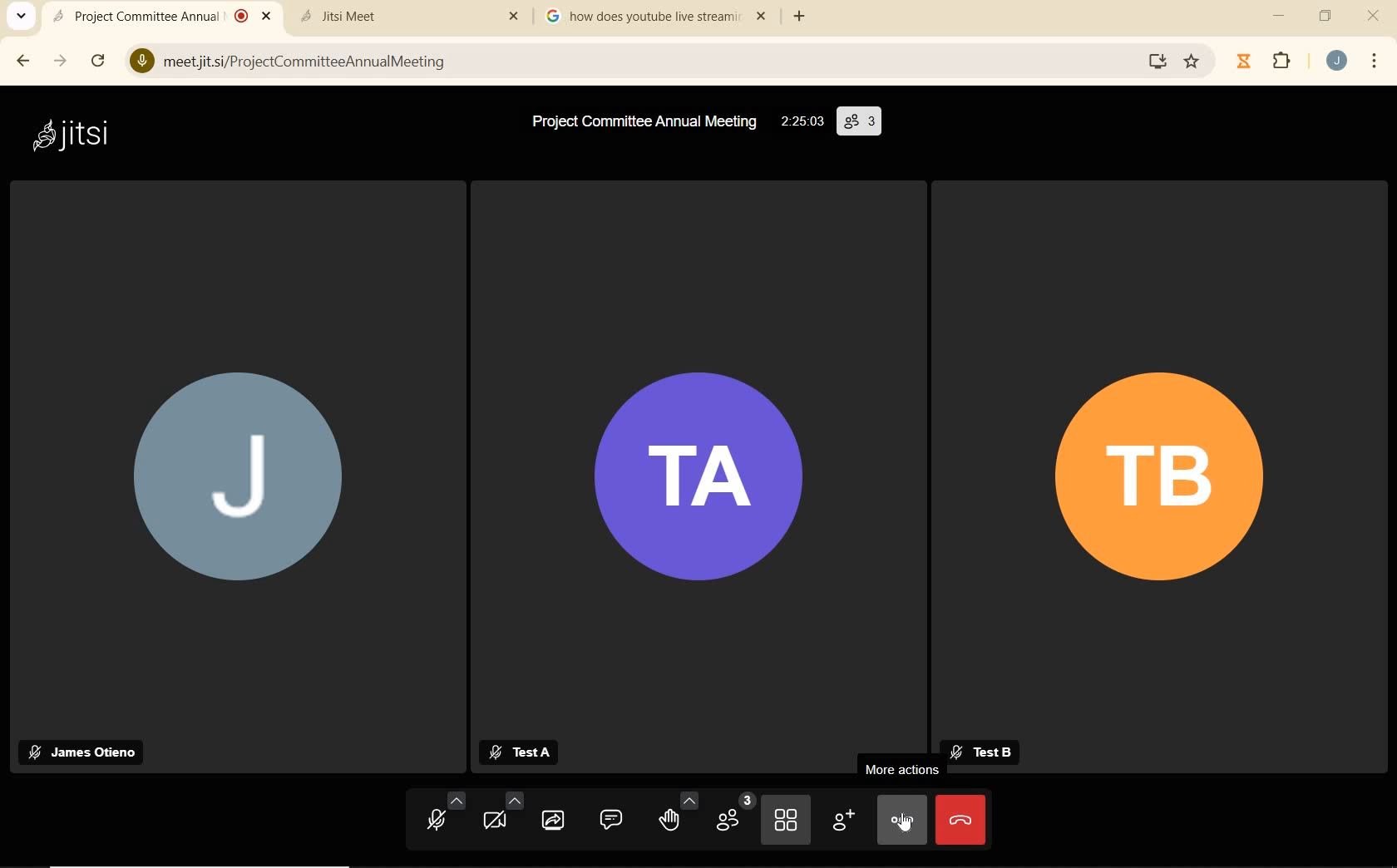 The height and width of the screenshot is (868, 1397). I want to click on J, so click(239, 480).